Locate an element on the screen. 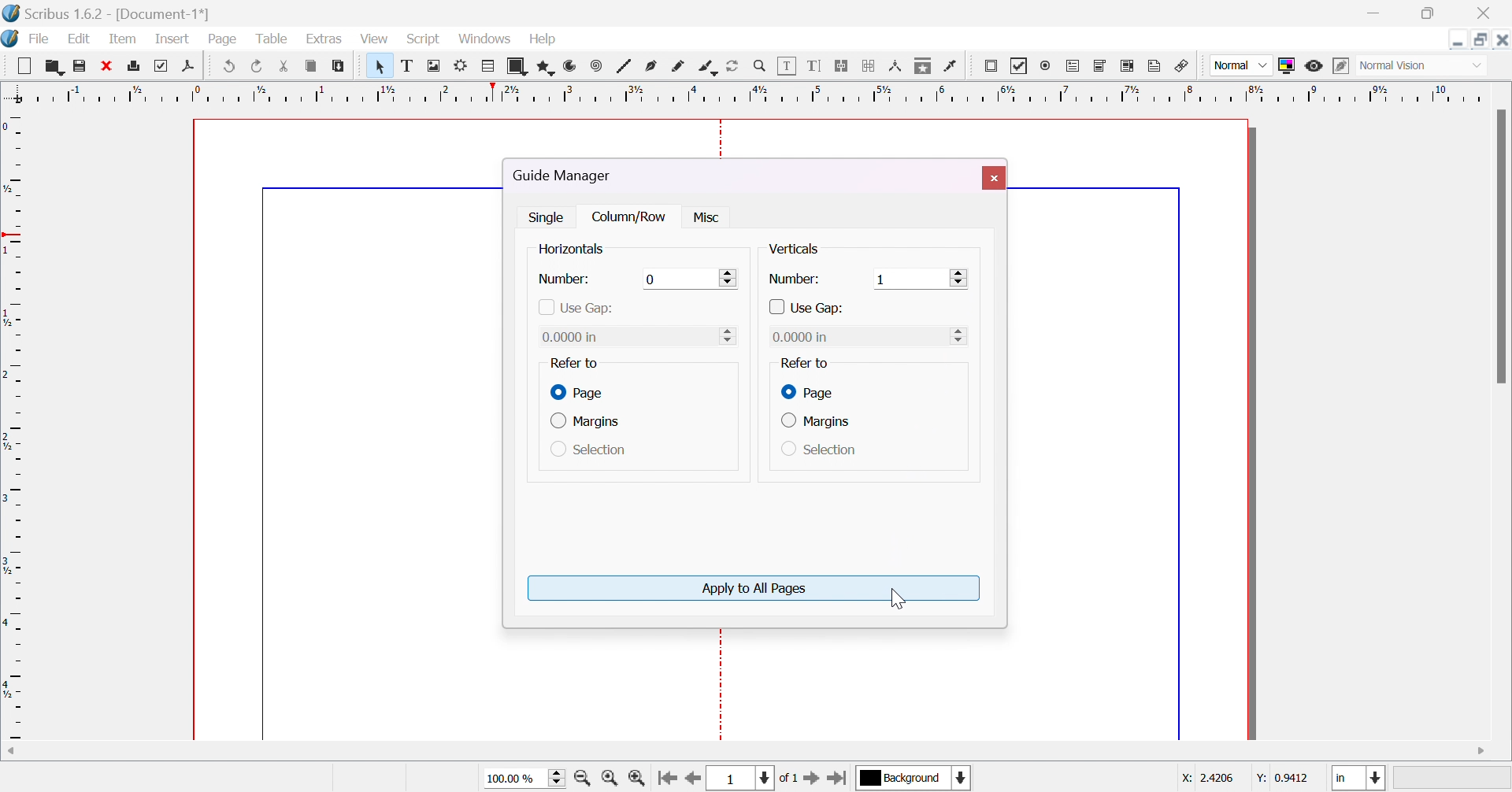 This screenshot has width=1512, height=792. copy item properties is located at coordinates (925, 67).